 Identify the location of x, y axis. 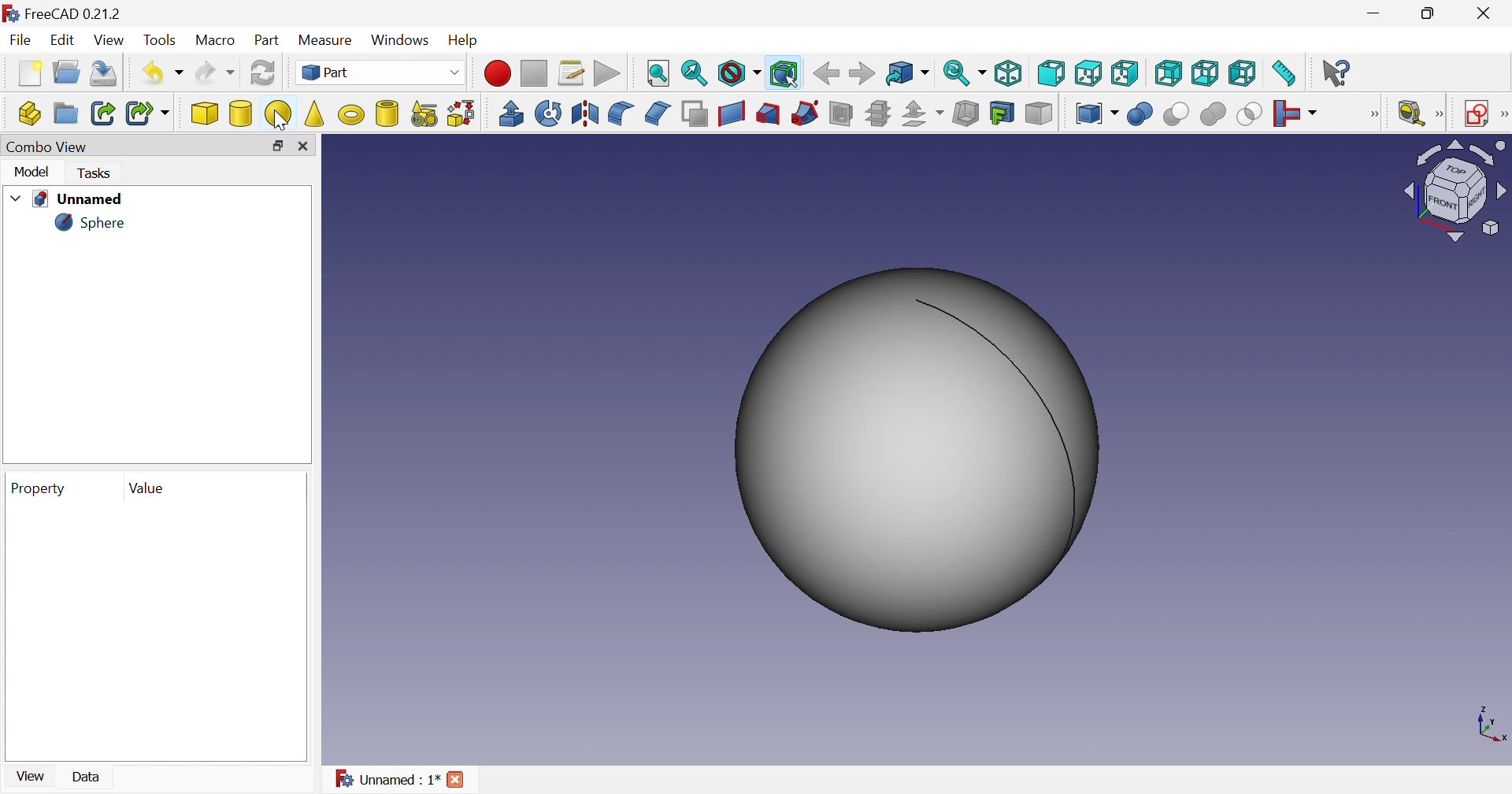
(1489, 724).